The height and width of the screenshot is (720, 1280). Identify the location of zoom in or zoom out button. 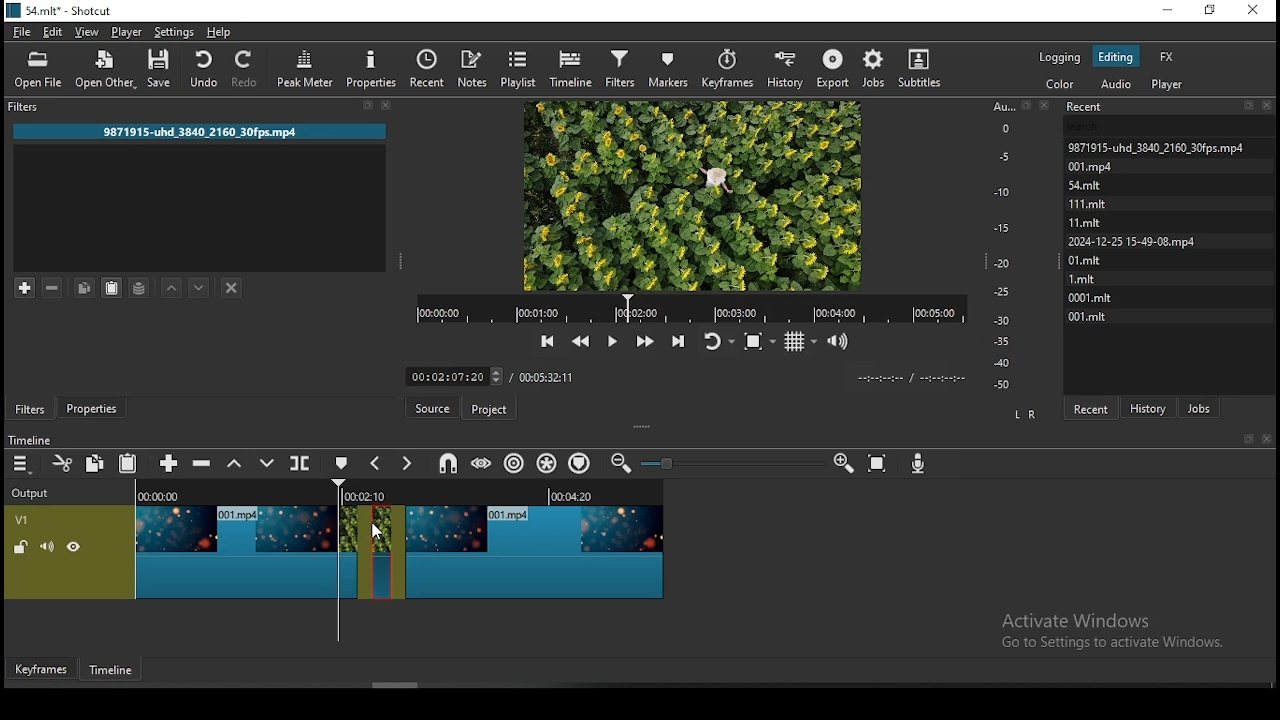
(730, 463).